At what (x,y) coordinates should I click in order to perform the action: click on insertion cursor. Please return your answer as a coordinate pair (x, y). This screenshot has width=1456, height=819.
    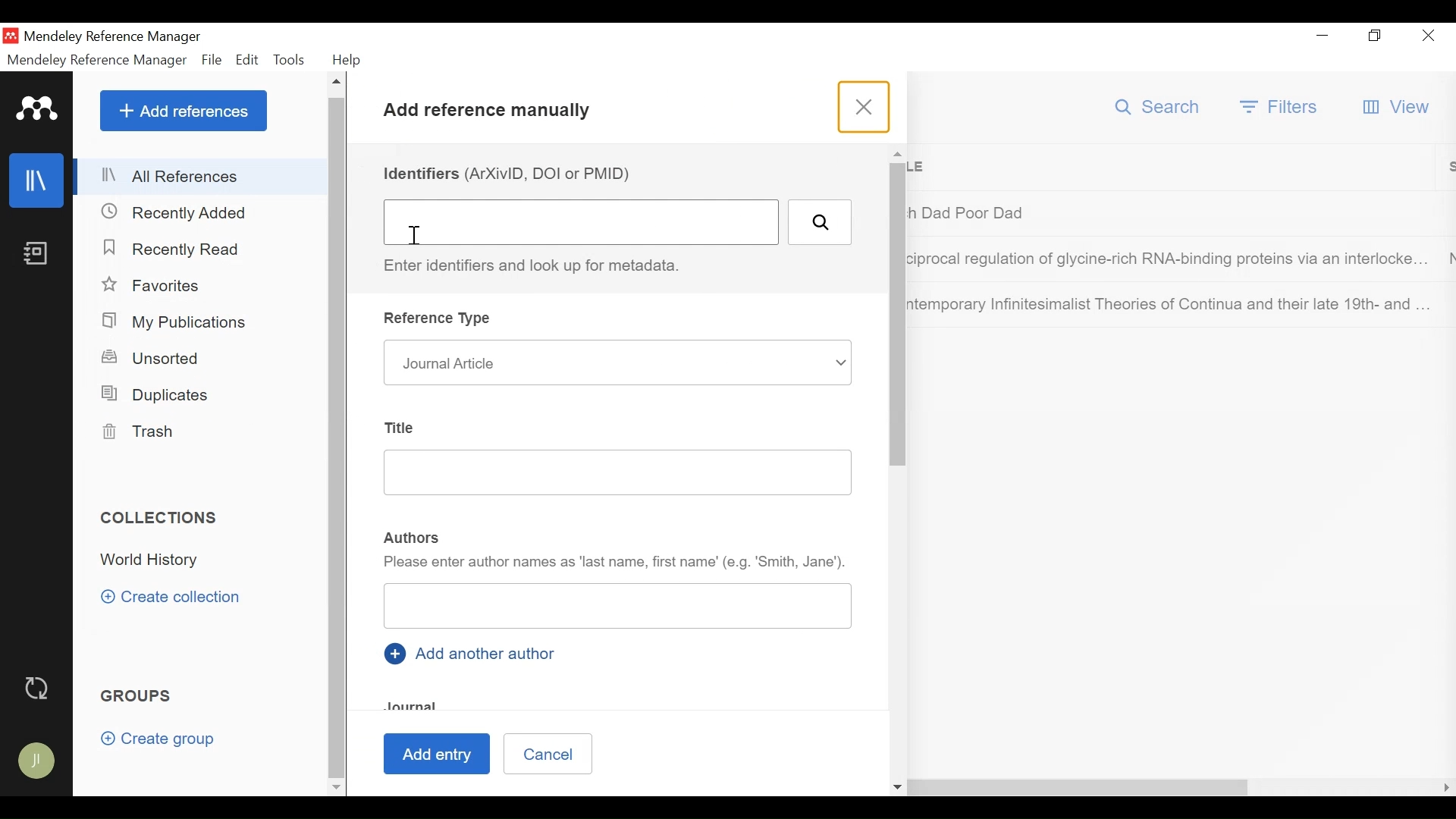
    Looking at the image, I should click on (417, 235).